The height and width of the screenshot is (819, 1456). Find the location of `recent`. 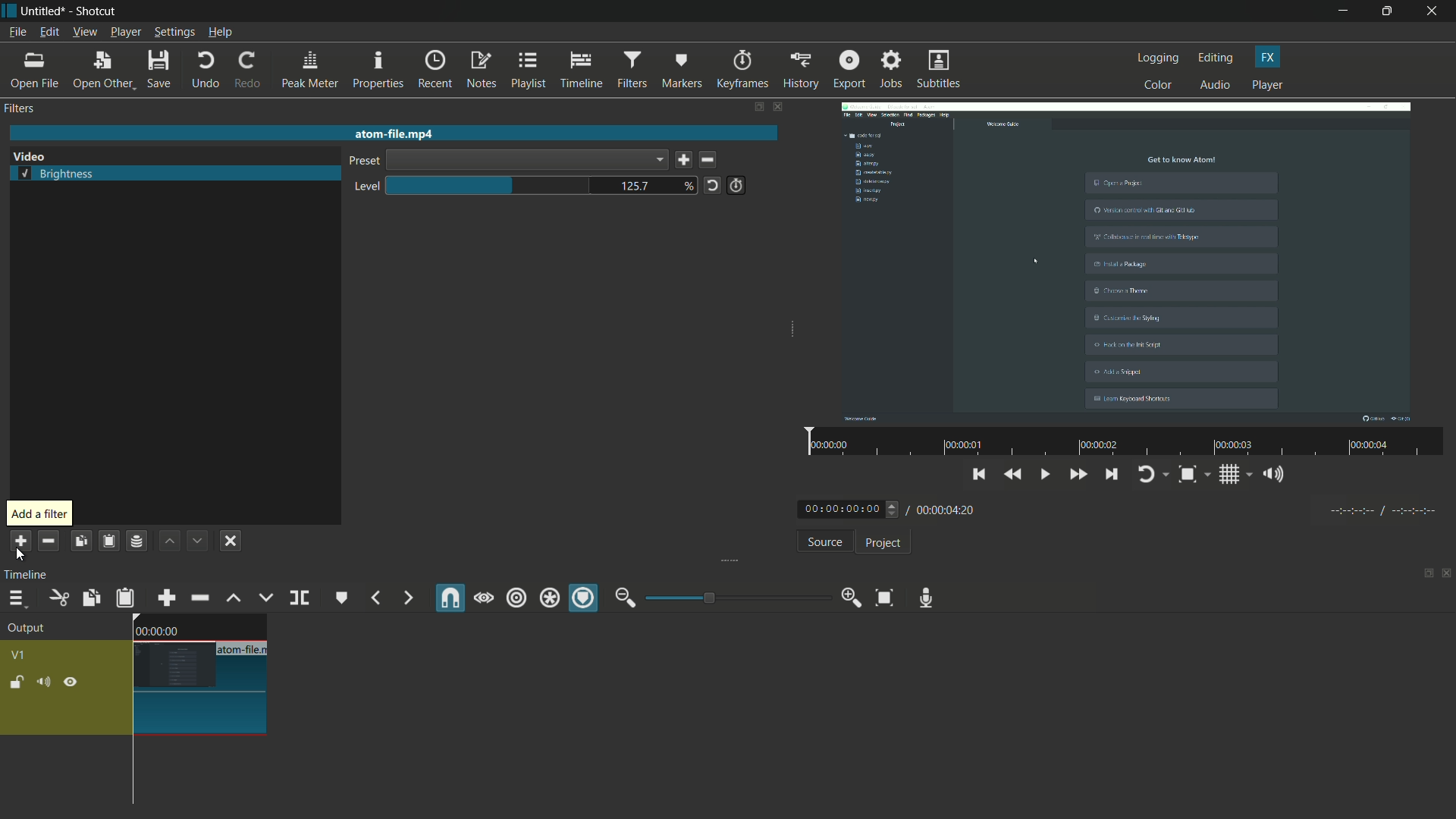

recent is located at coordinates (437, 69).